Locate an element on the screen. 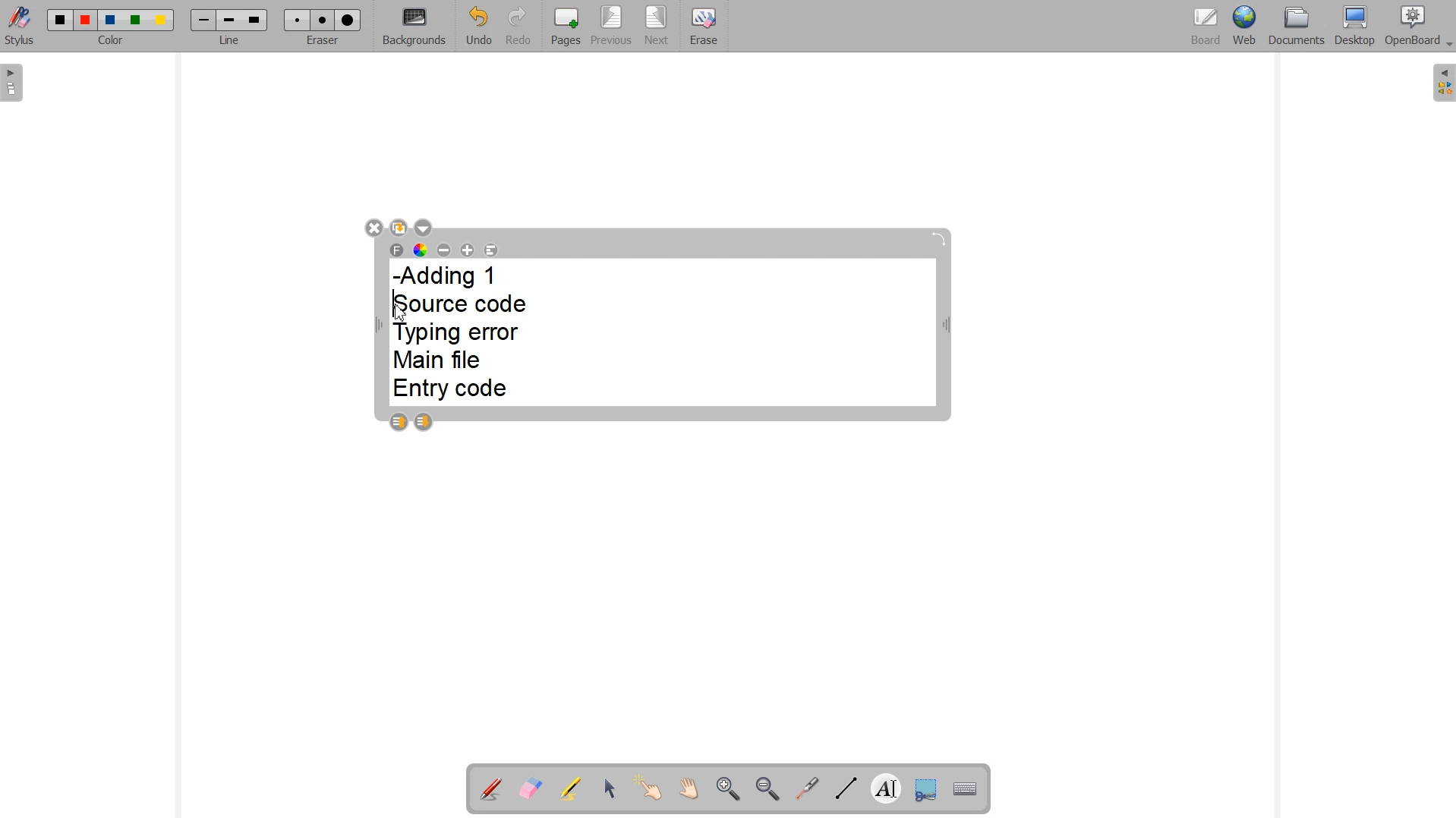 The image size is (1456, 818). Cursor is located at coordinates (401, 313).